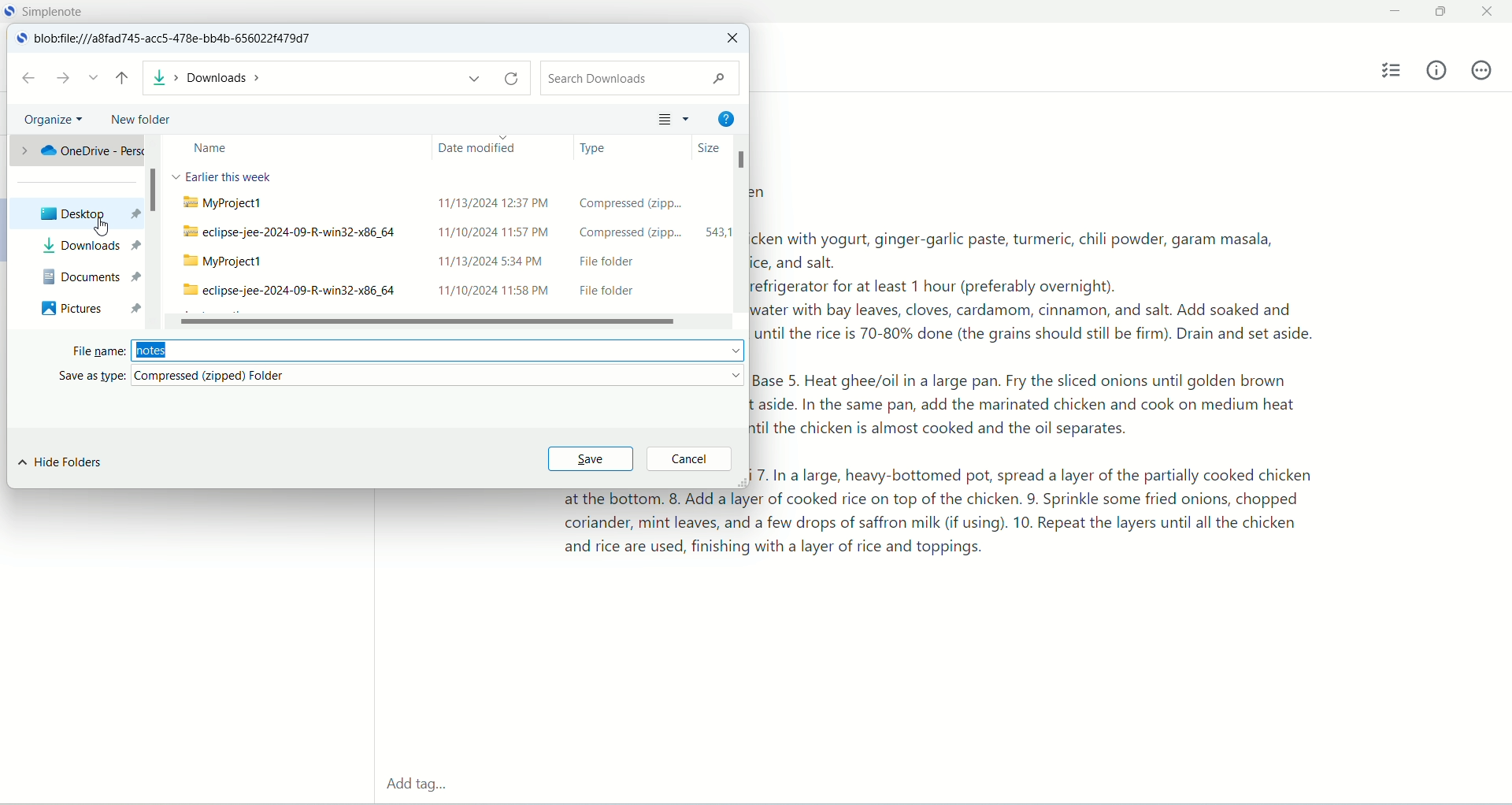 The image size is (1512, 805). I want to click on actions, so click(1481, 70).